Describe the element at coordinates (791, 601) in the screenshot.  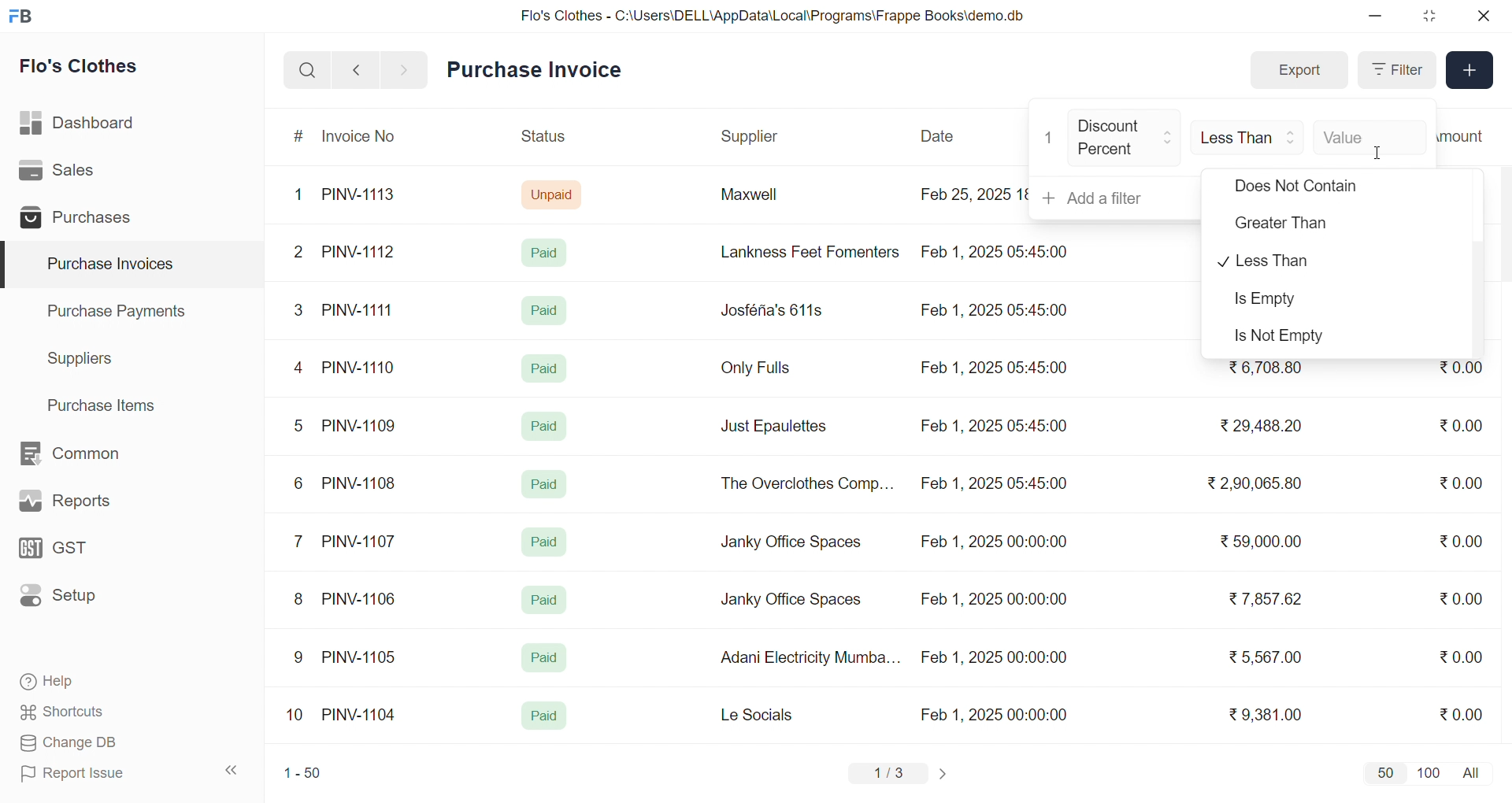
I see `Janky Office Spaces` at that location.